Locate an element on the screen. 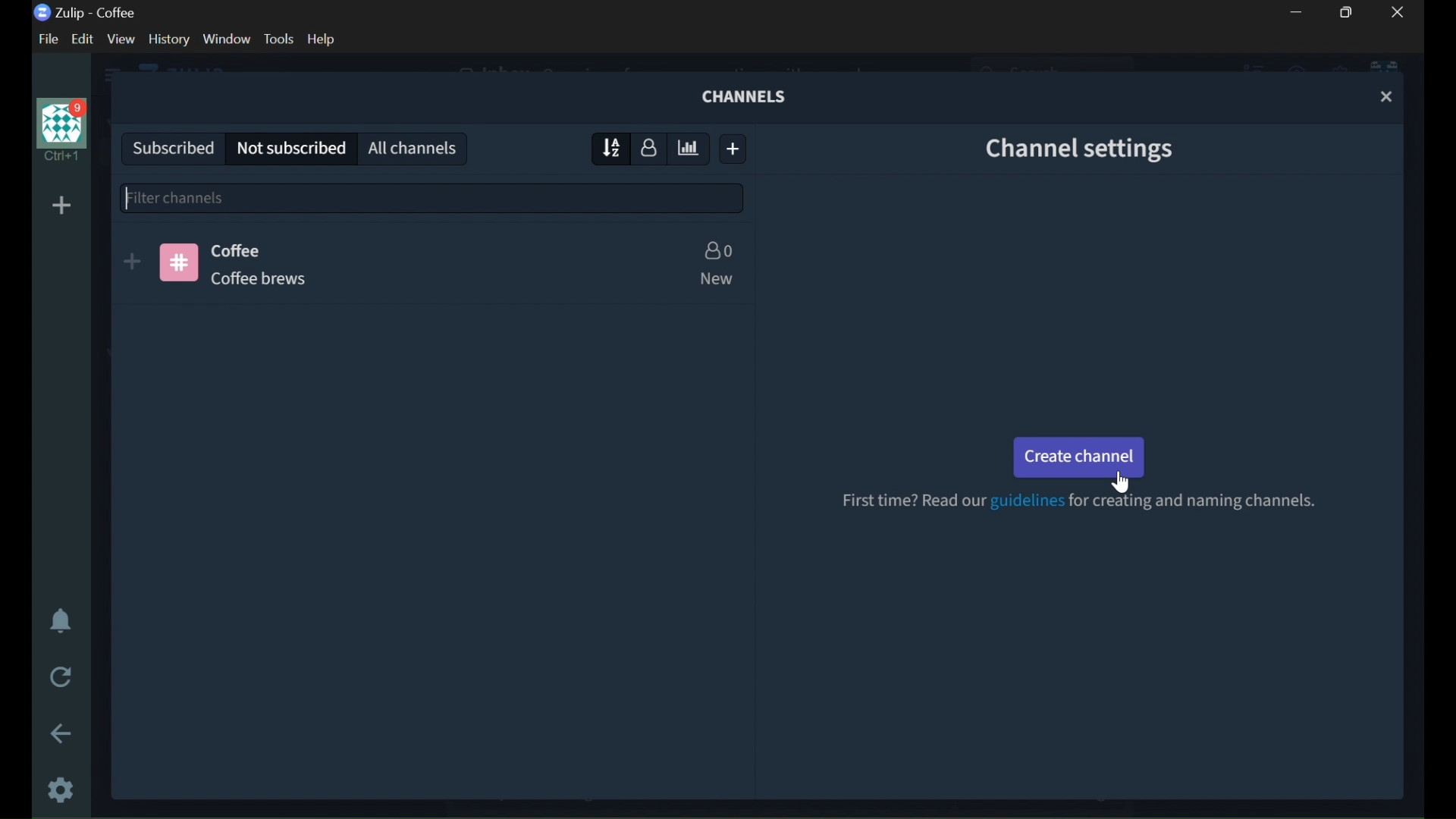 The width and height of the screenshot is (1456, 819). SUBSCRIBED is located at coordinates (168, 146).